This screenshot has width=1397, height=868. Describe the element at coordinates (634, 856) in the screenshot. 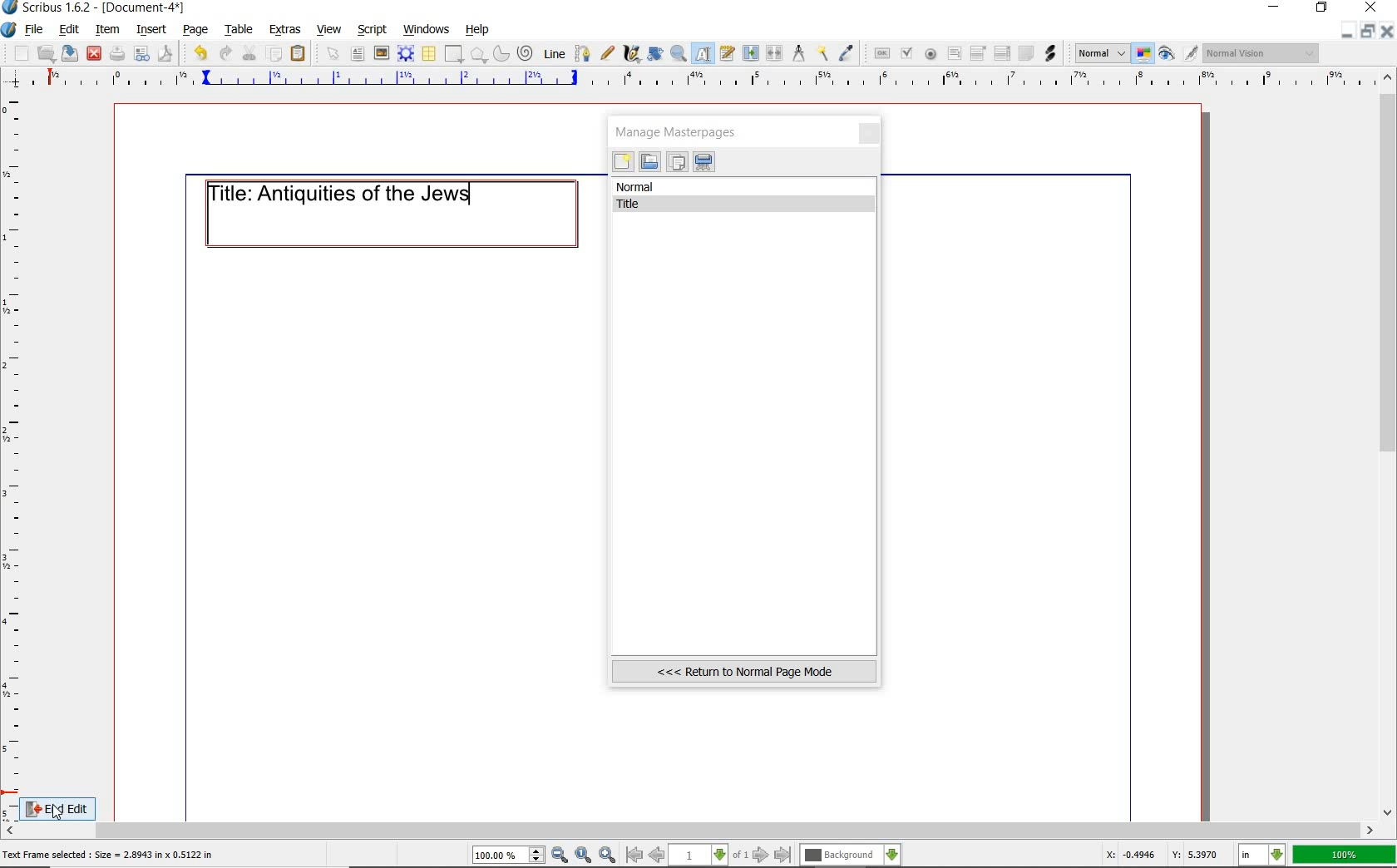

I see `go to first page` at that location.